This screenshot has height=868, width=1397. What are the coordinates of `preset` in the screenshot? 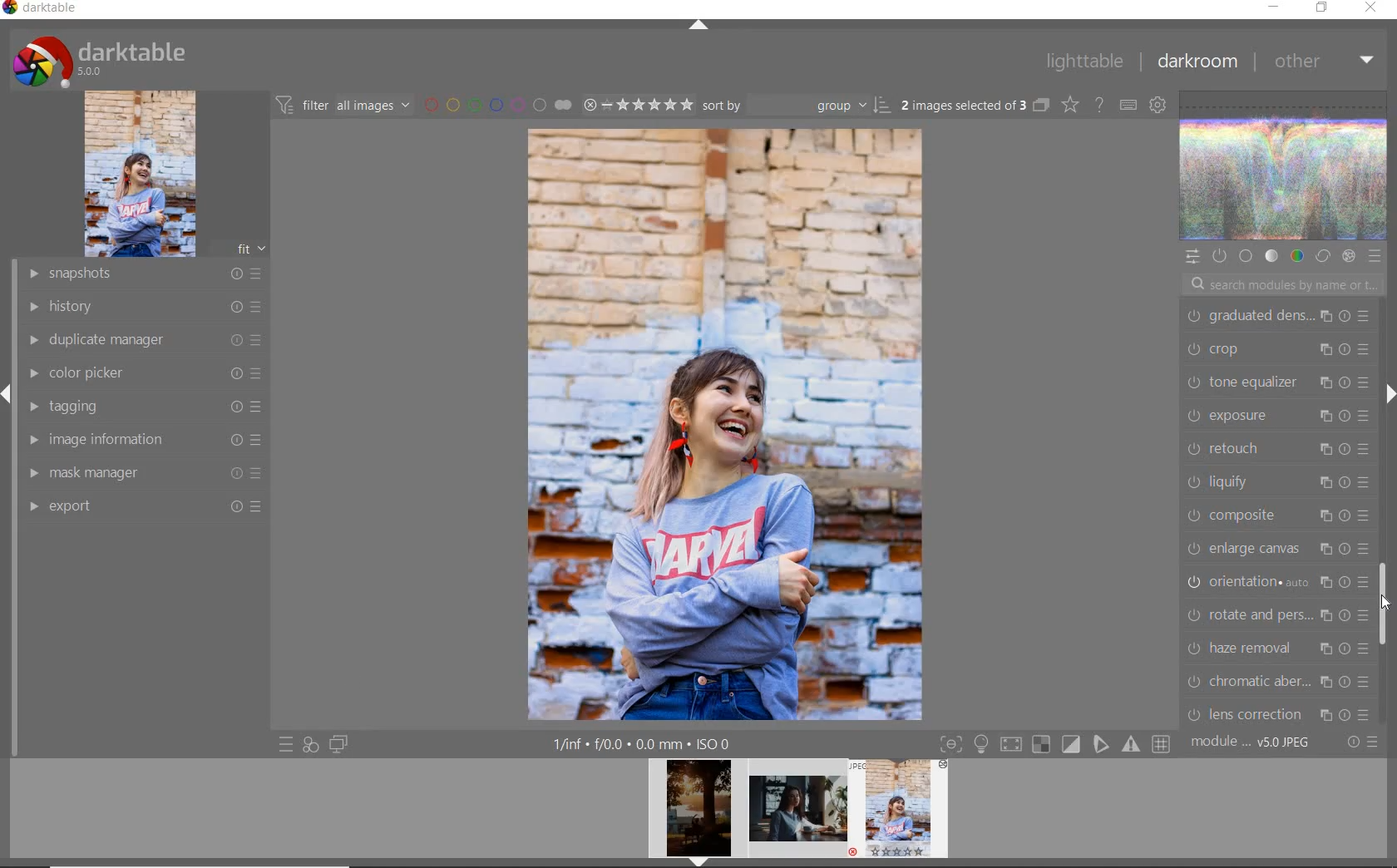 It's located at (1375, 256).